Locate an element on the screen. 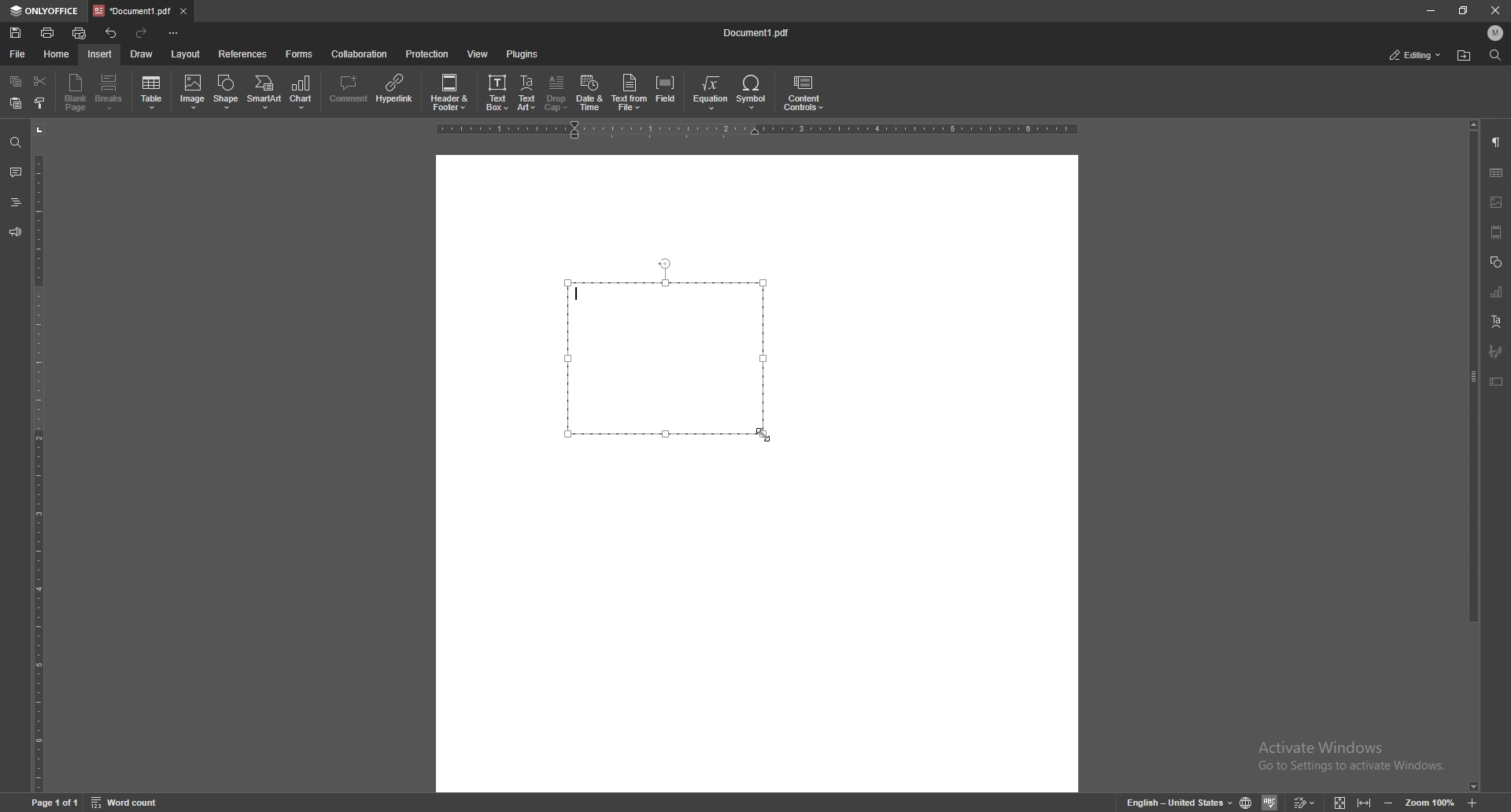  draw is located at coordinates (142, 54).